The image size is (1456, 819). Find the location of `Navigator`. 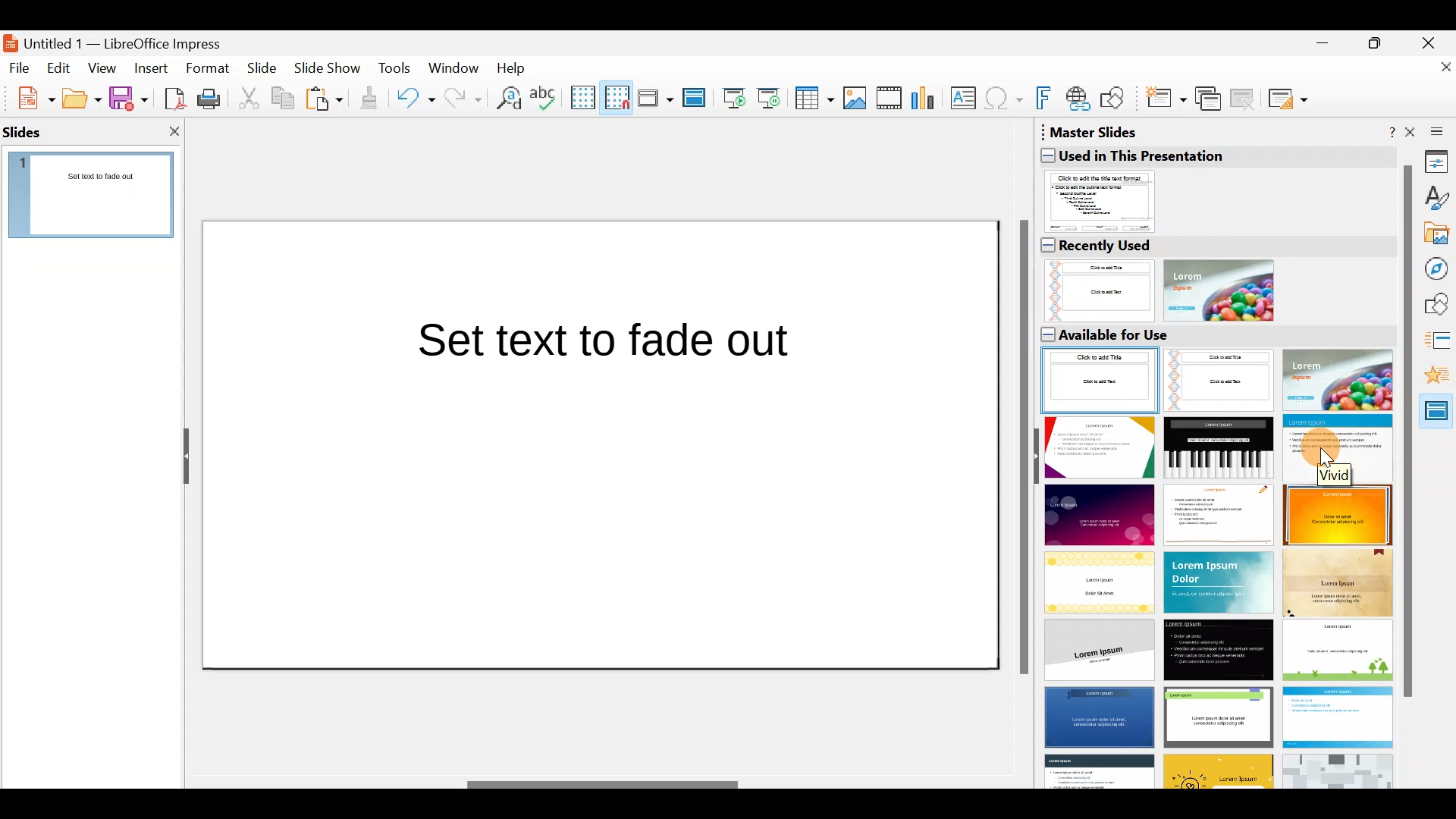

Navigator is located at coordinates (1439, 269).